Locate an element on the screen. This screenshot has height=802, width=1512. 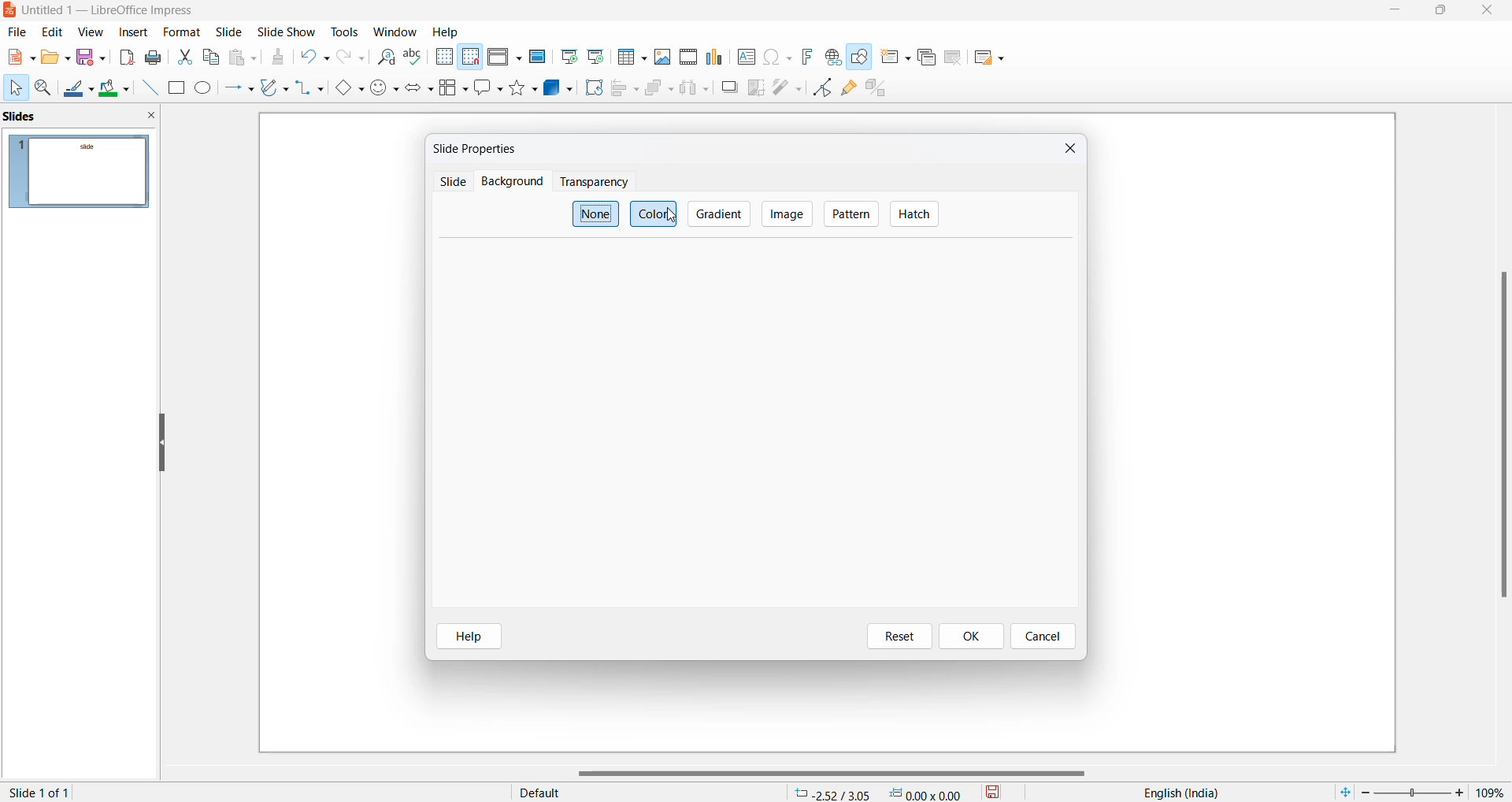
zoom and pan  is located at coordinates (44, 91).